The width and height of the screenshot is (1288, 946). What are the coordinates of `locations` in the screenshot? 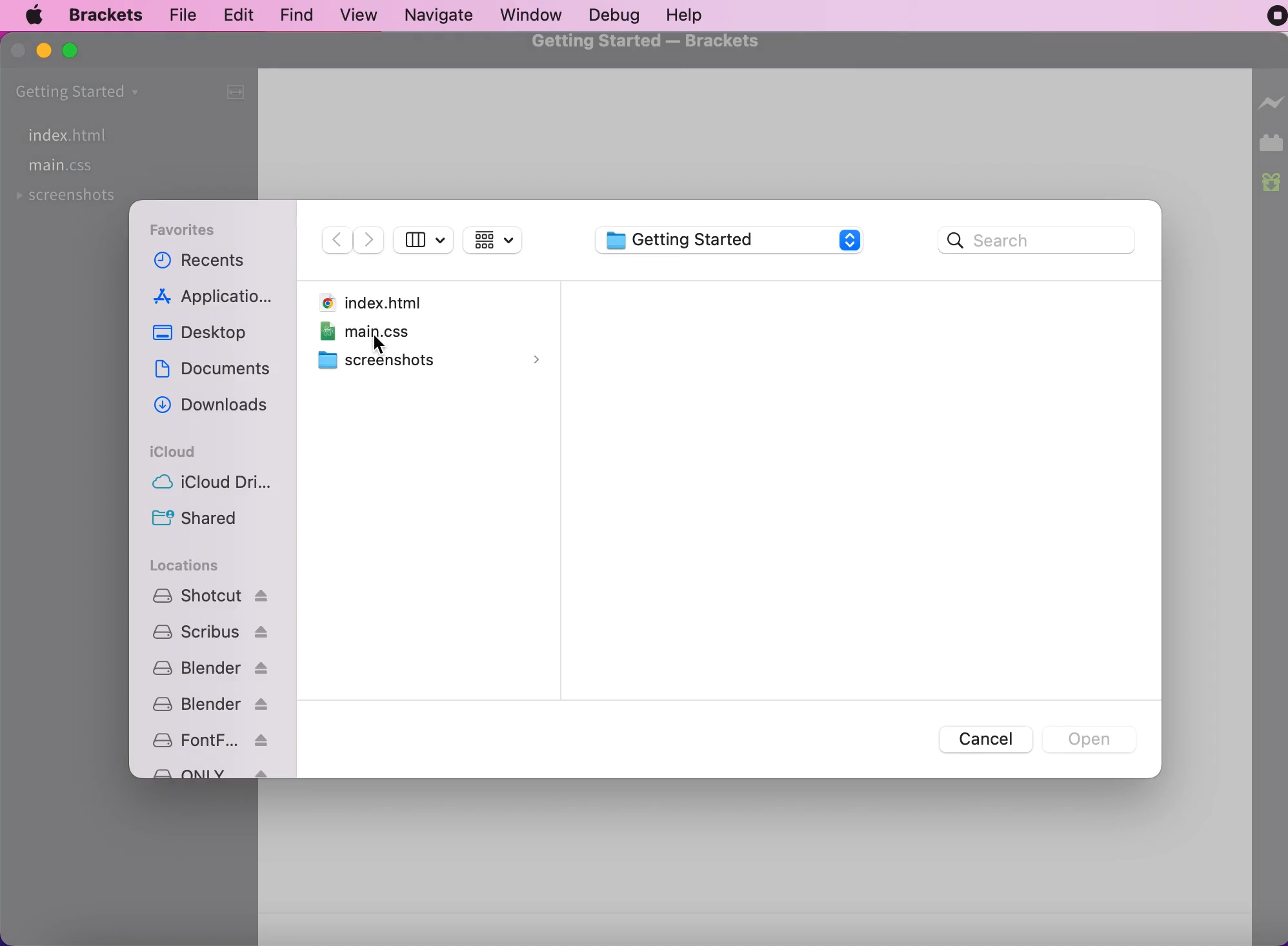 It's located at (186, 565).